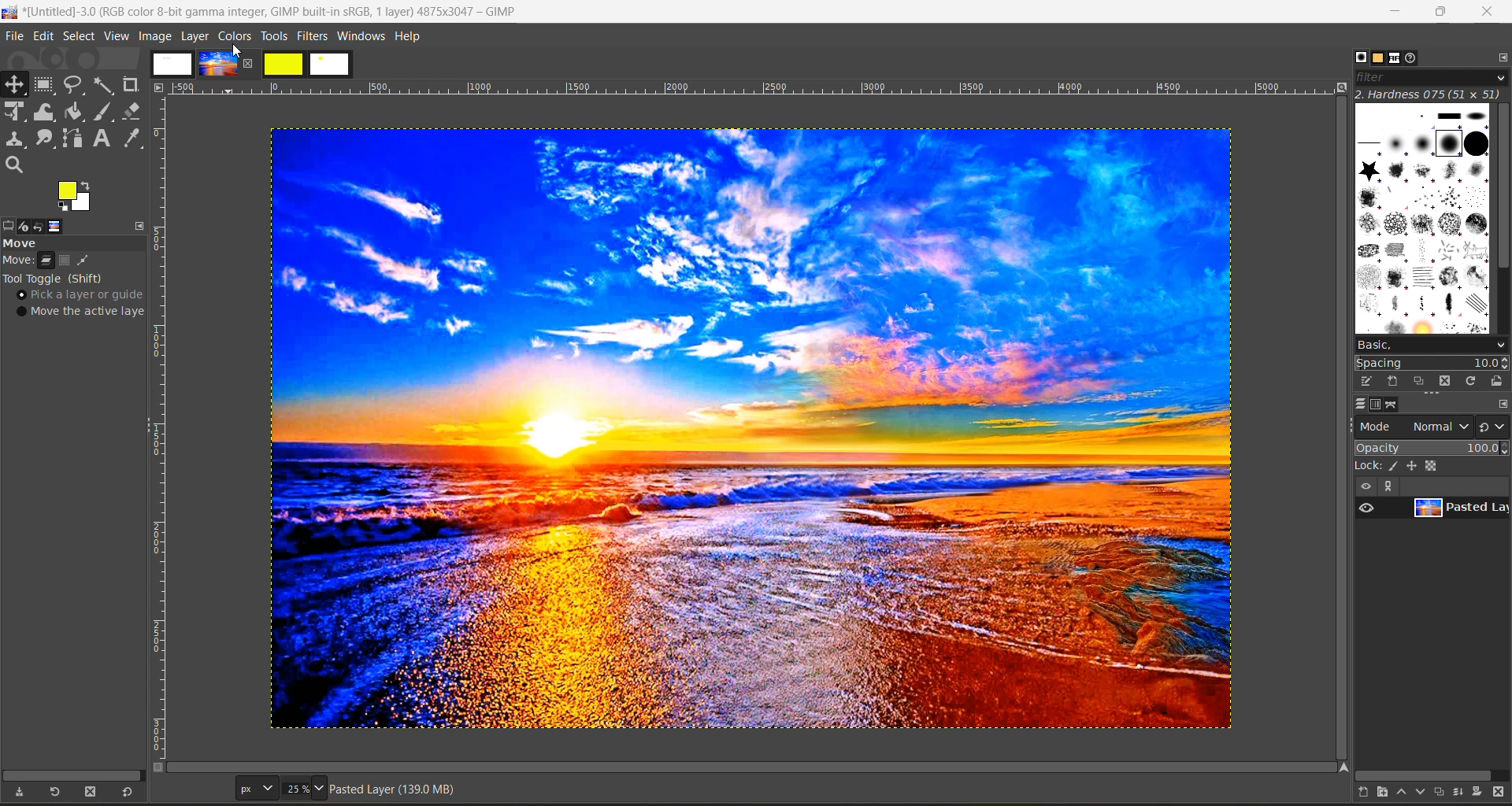 The width and height of the screenshot is (1512, 806). Describe the element at coordinates (1368, 381) in the screenshot. I see `edit` at that location.